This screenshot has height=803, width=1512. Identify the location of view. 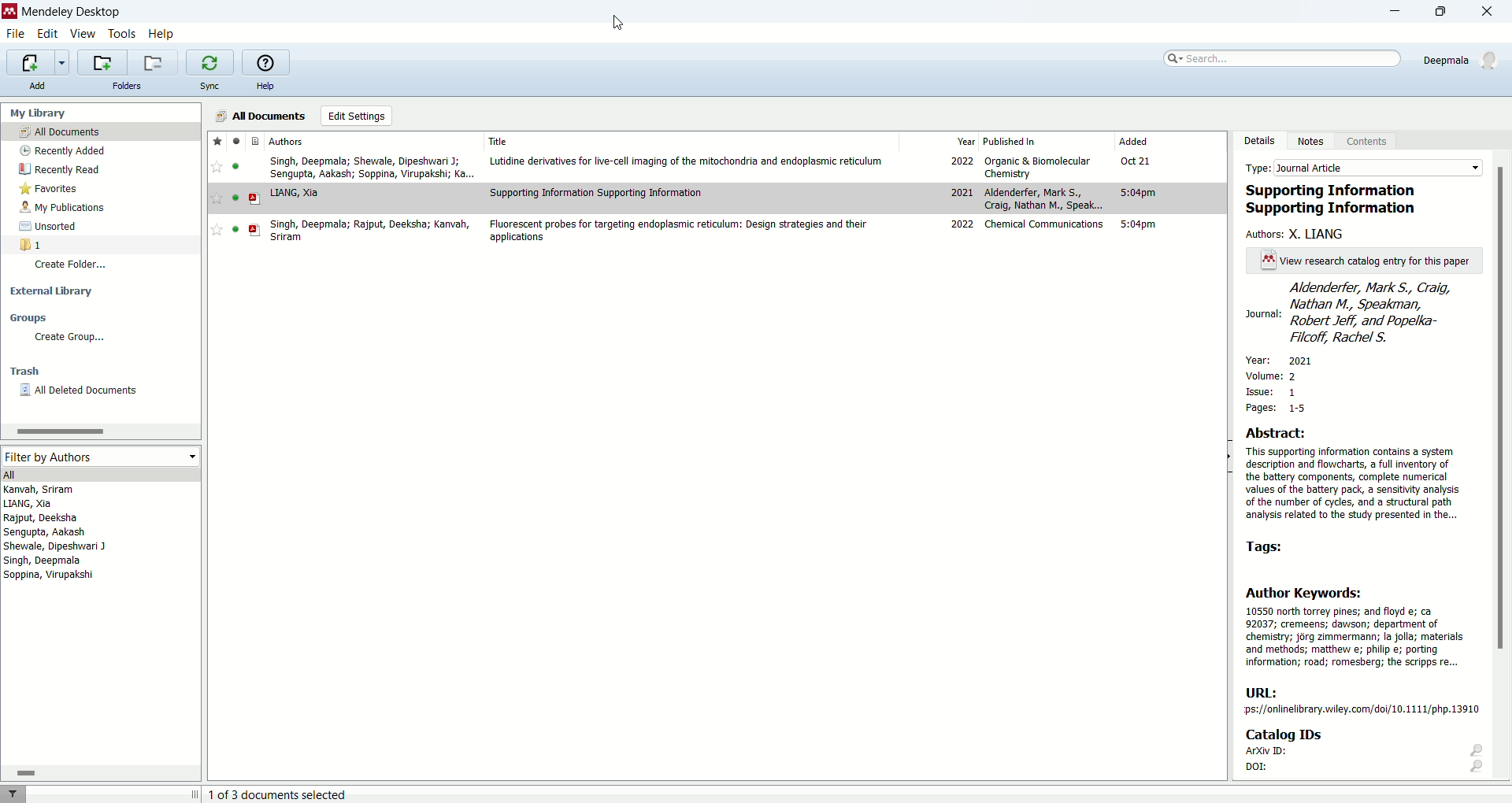
(83, 33).